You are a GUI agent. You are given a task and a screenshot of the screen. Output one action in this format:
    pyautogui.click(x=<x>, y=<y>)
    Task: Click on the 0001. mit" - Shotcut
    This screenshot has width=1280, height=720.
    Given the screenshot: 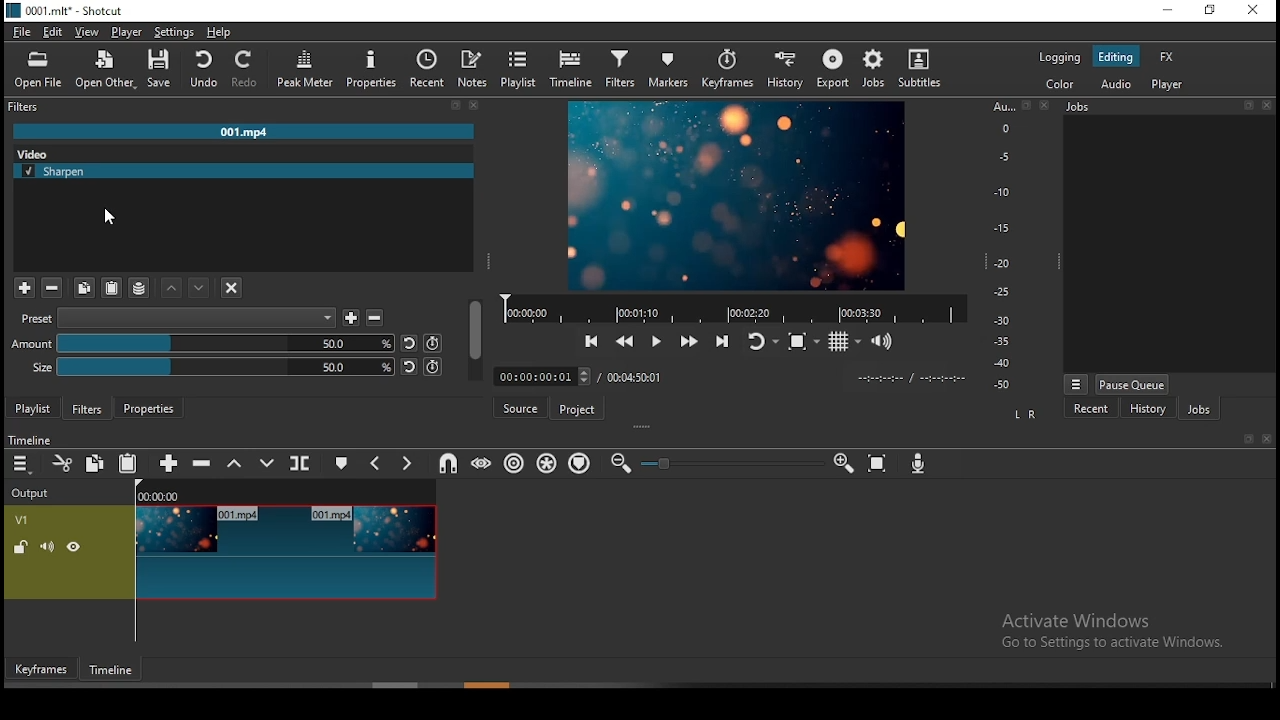 What is the action you would take?
    pyautogui.click(x=68, y=10)
    